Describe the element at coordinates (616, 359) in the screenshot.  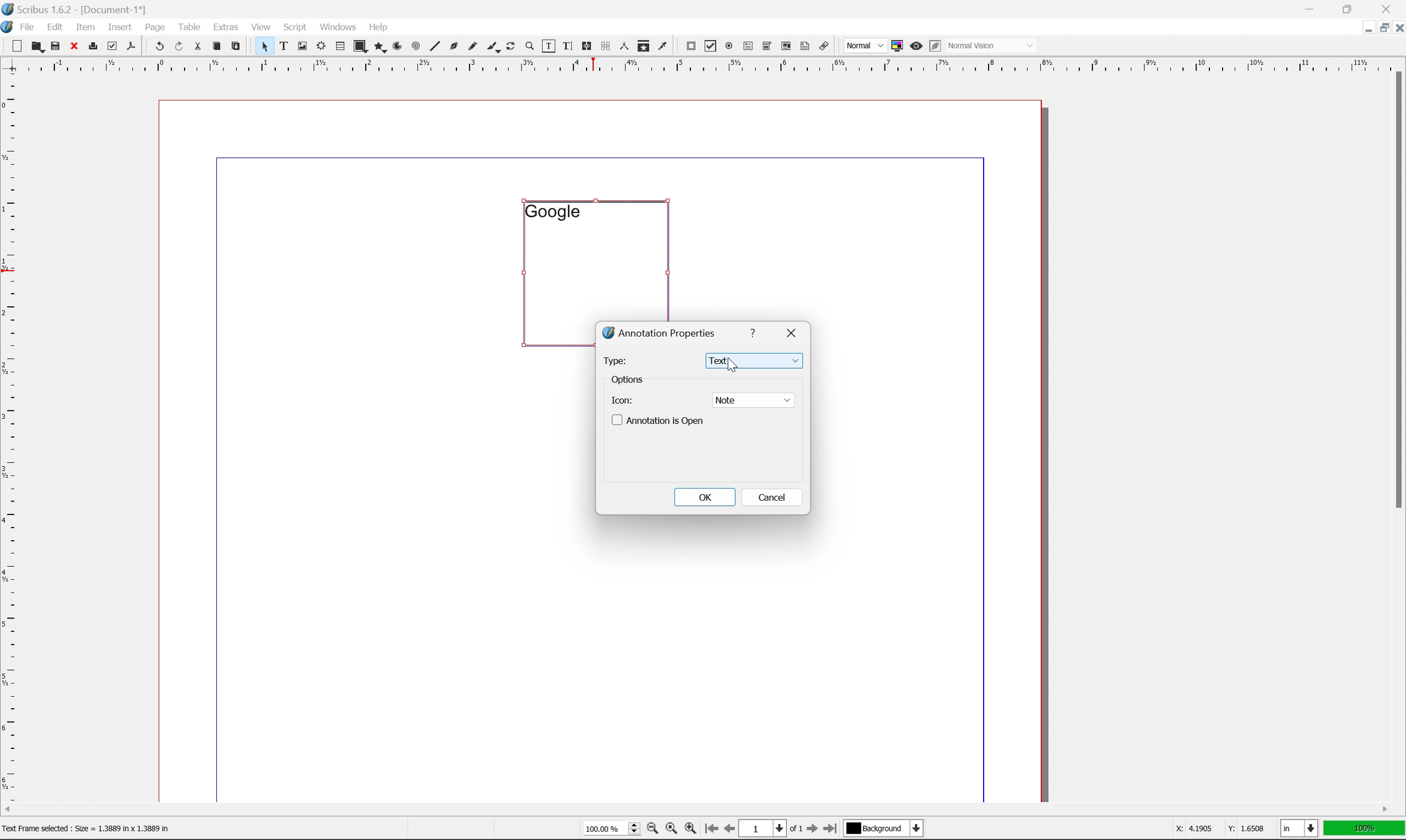
I see `Type:` at that location.